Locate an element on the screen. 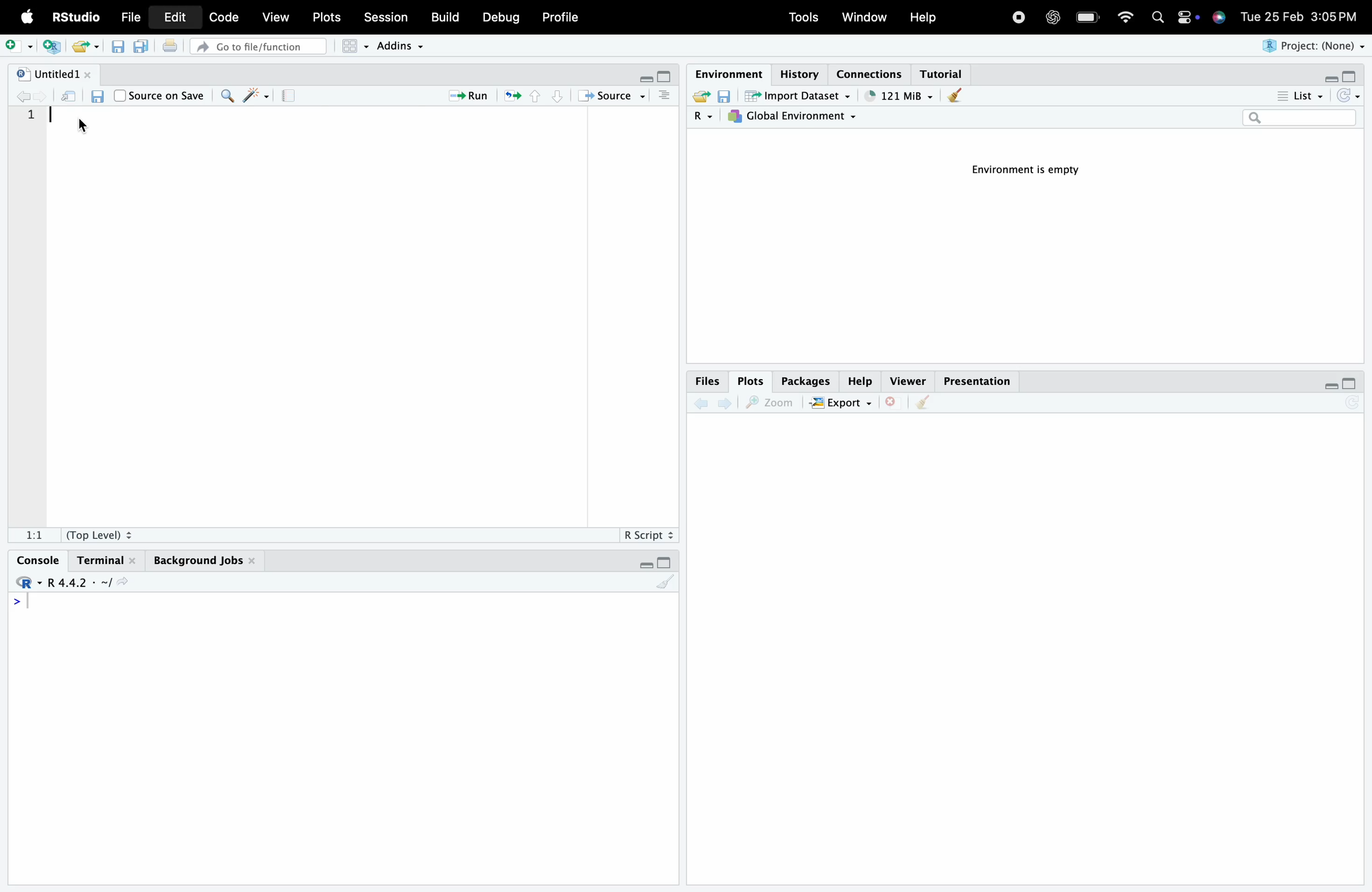 Image resolution: width=1372 pixels, height=892 pixels. Save current document (Ctrl + S) is located at coordinates (118, 48).